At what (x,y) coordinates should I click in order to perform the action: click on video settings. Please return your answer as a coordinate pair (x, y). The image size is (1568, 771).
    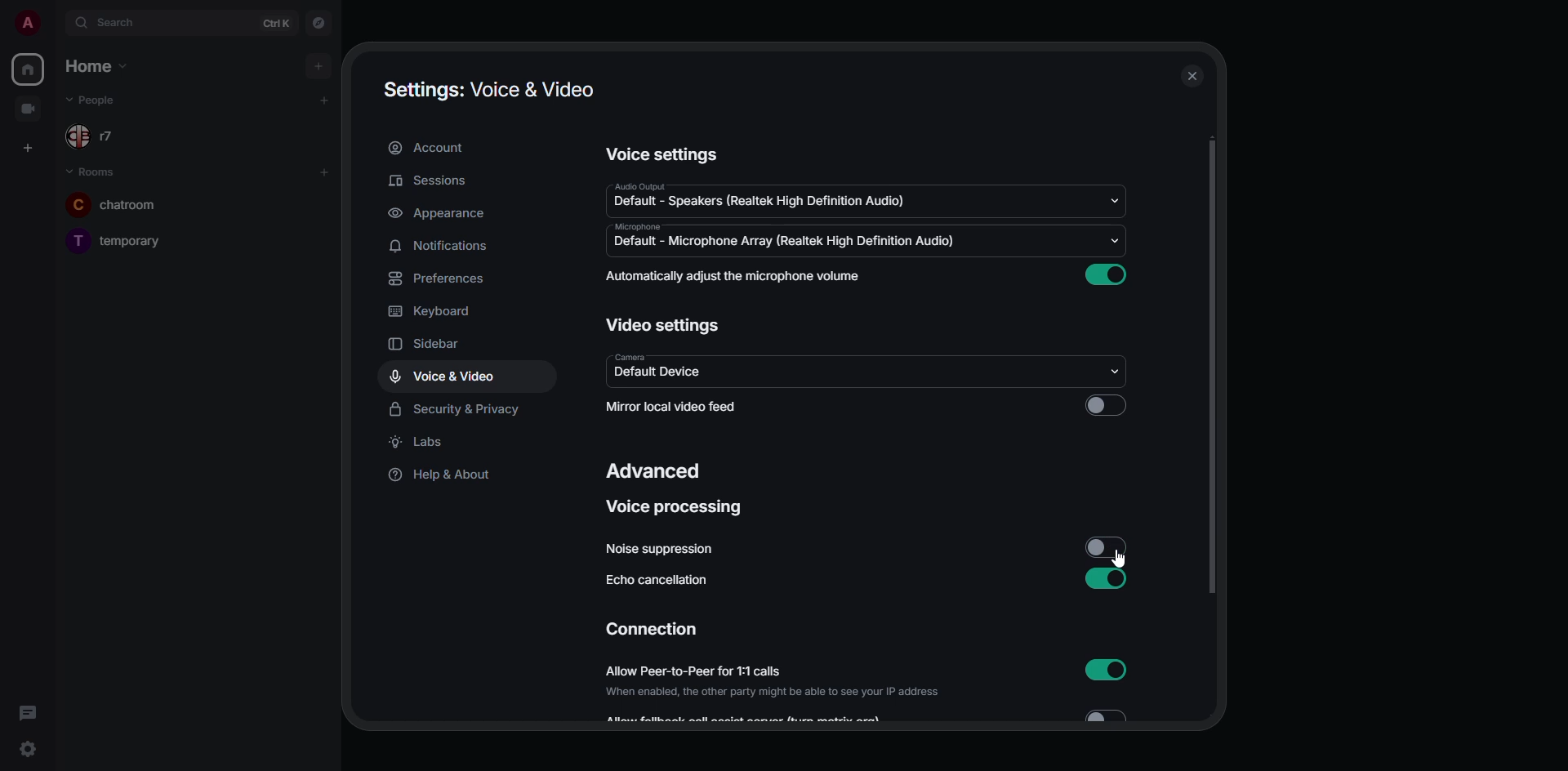
    Looking at the image, I should click on (663, 323).